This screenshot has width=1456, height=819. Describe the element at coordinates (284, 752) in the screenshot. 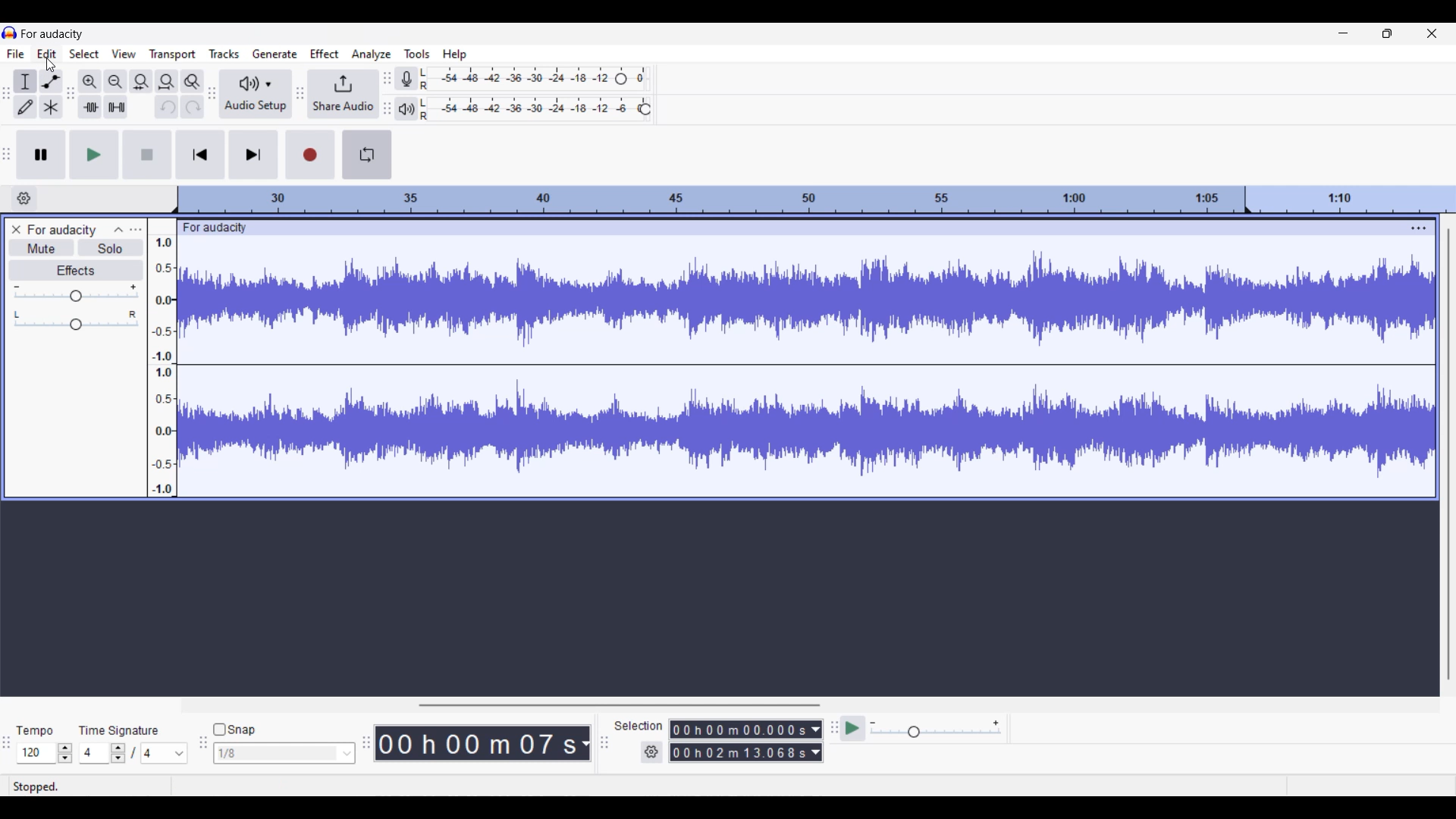

I see `1/8` at that location.